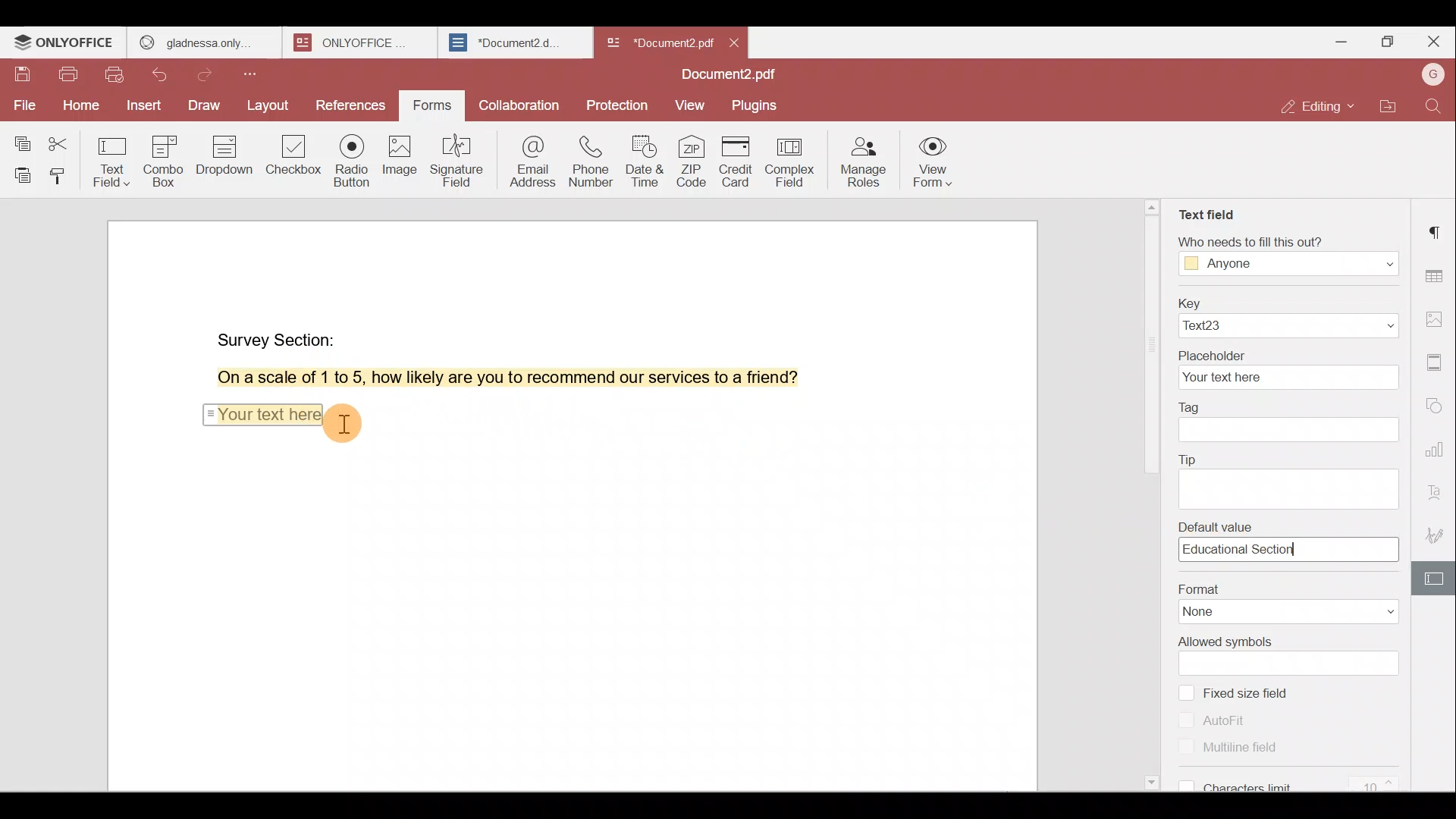  What do you see at coordinates (1438, 361) in the screenshot?
I see `Header & footer settings` at bounding box center [1438, 361].